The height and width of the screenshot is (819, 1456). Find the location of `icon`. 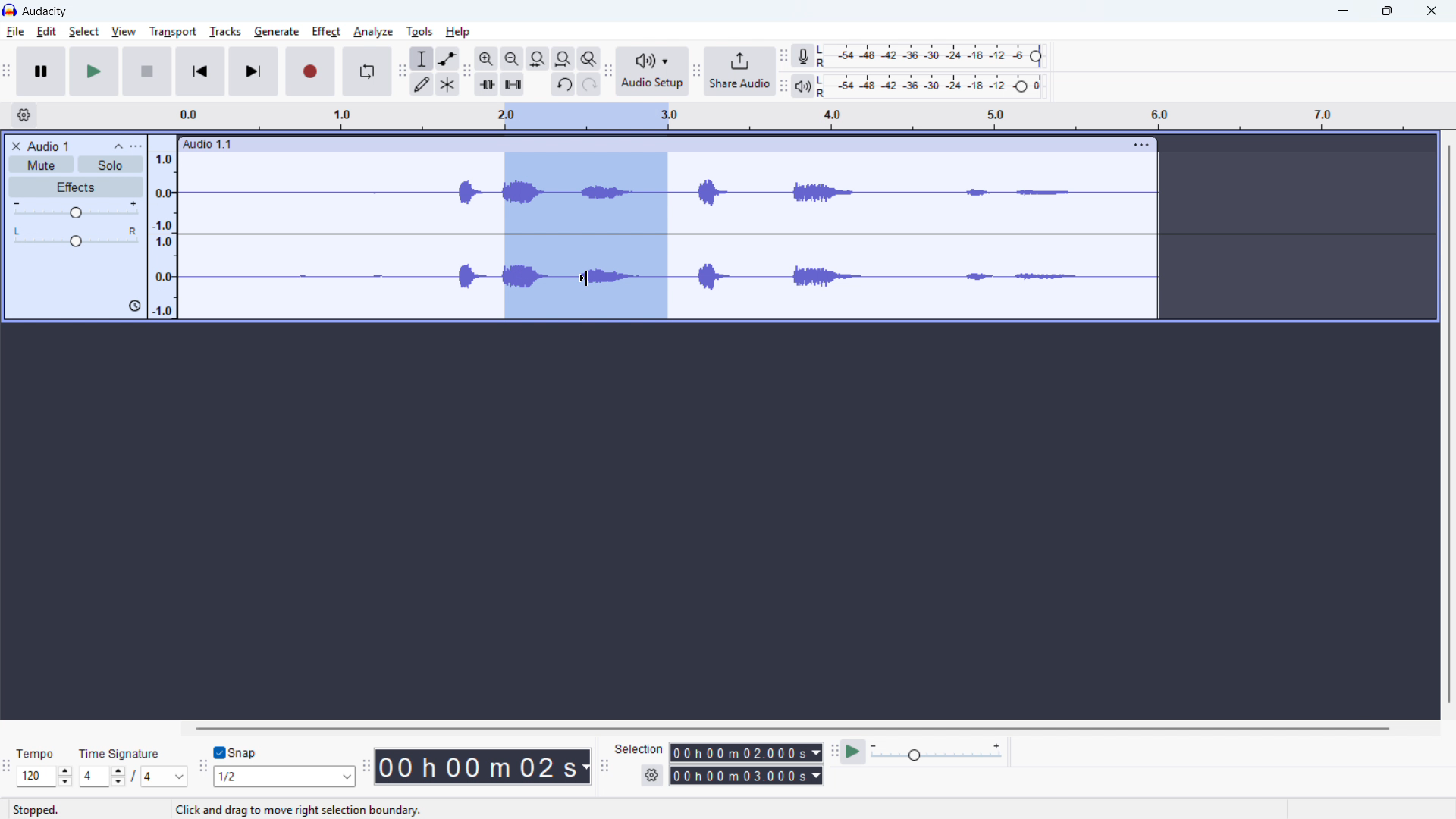

icon is located at coordinates (132, 307).